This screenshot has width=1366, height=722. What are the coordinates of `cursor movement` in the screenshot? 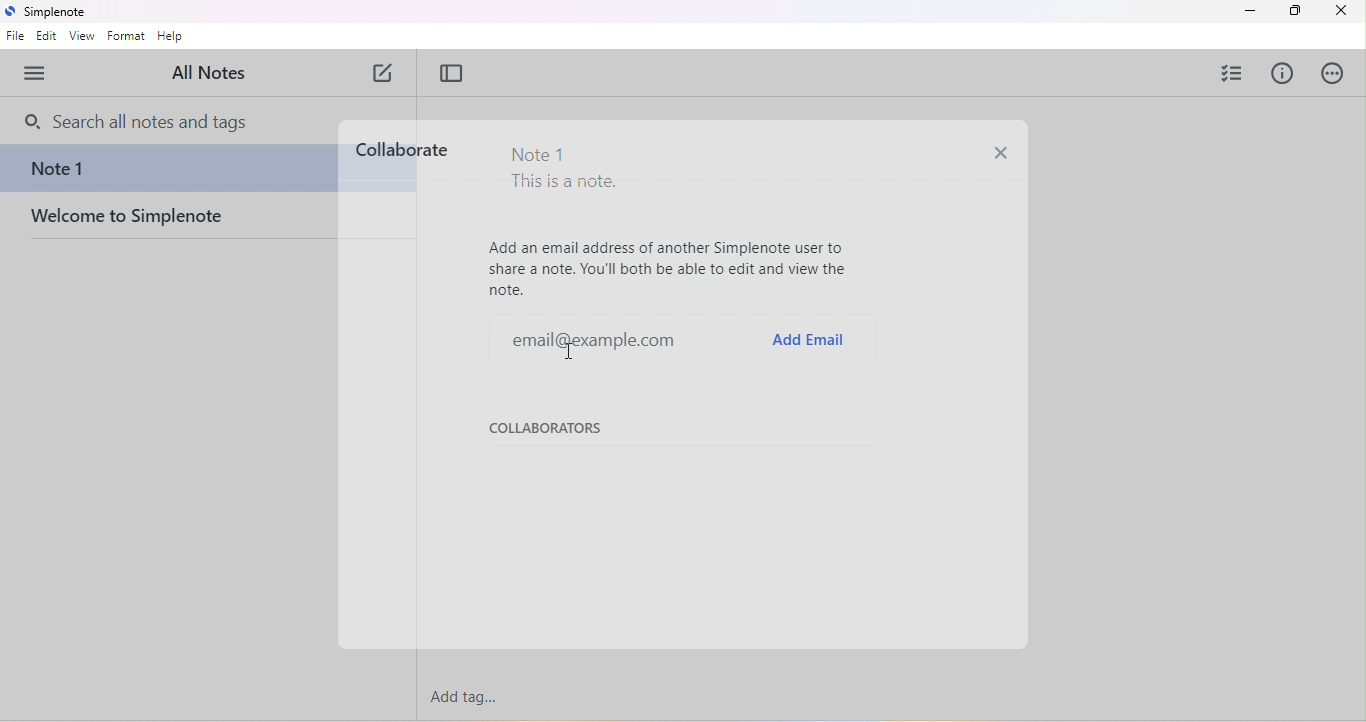 It's located at (580, 353).